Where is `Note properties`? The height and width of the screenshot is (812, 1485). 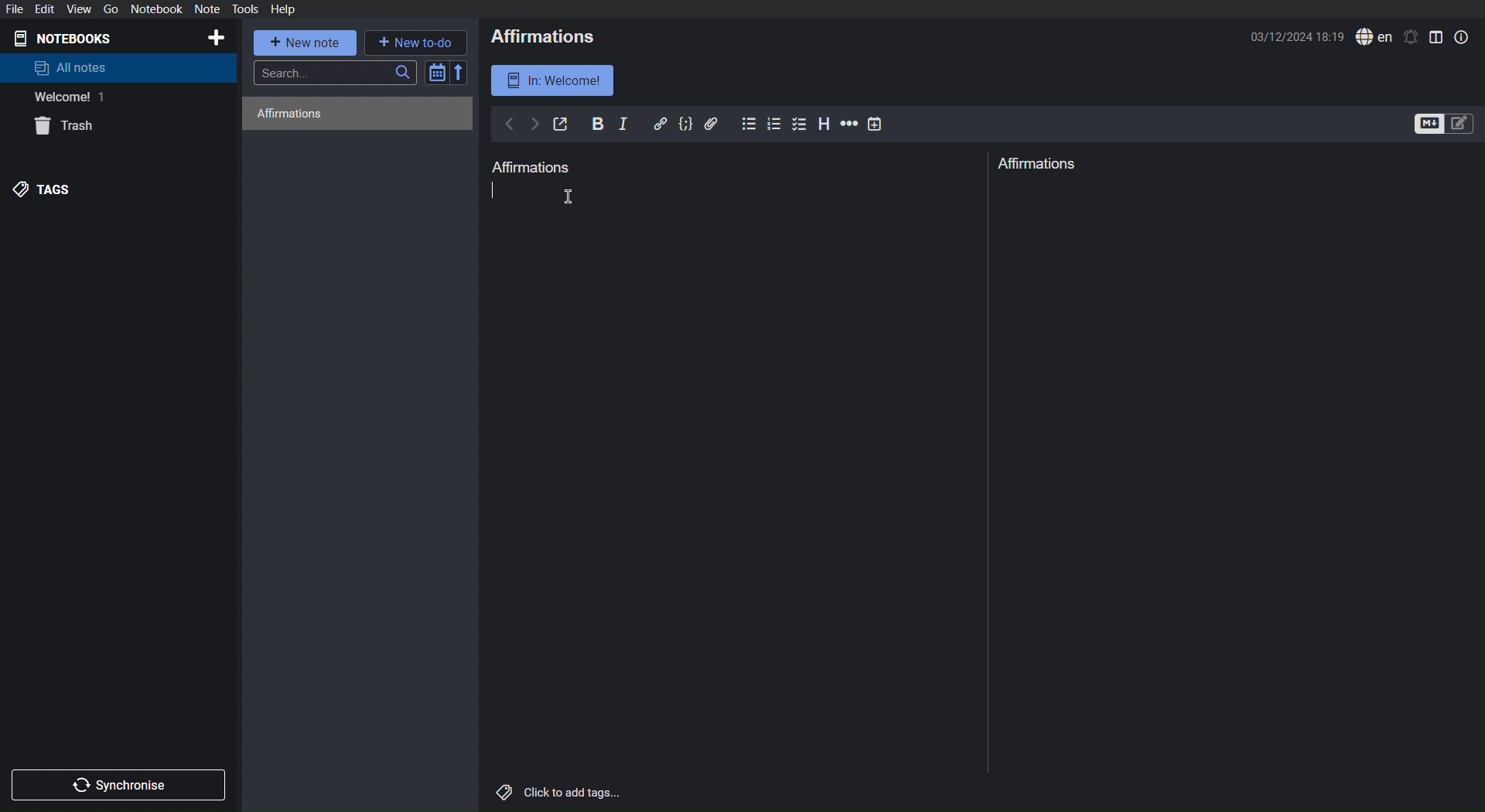 Note properties is located at coordinates (1461, 36).